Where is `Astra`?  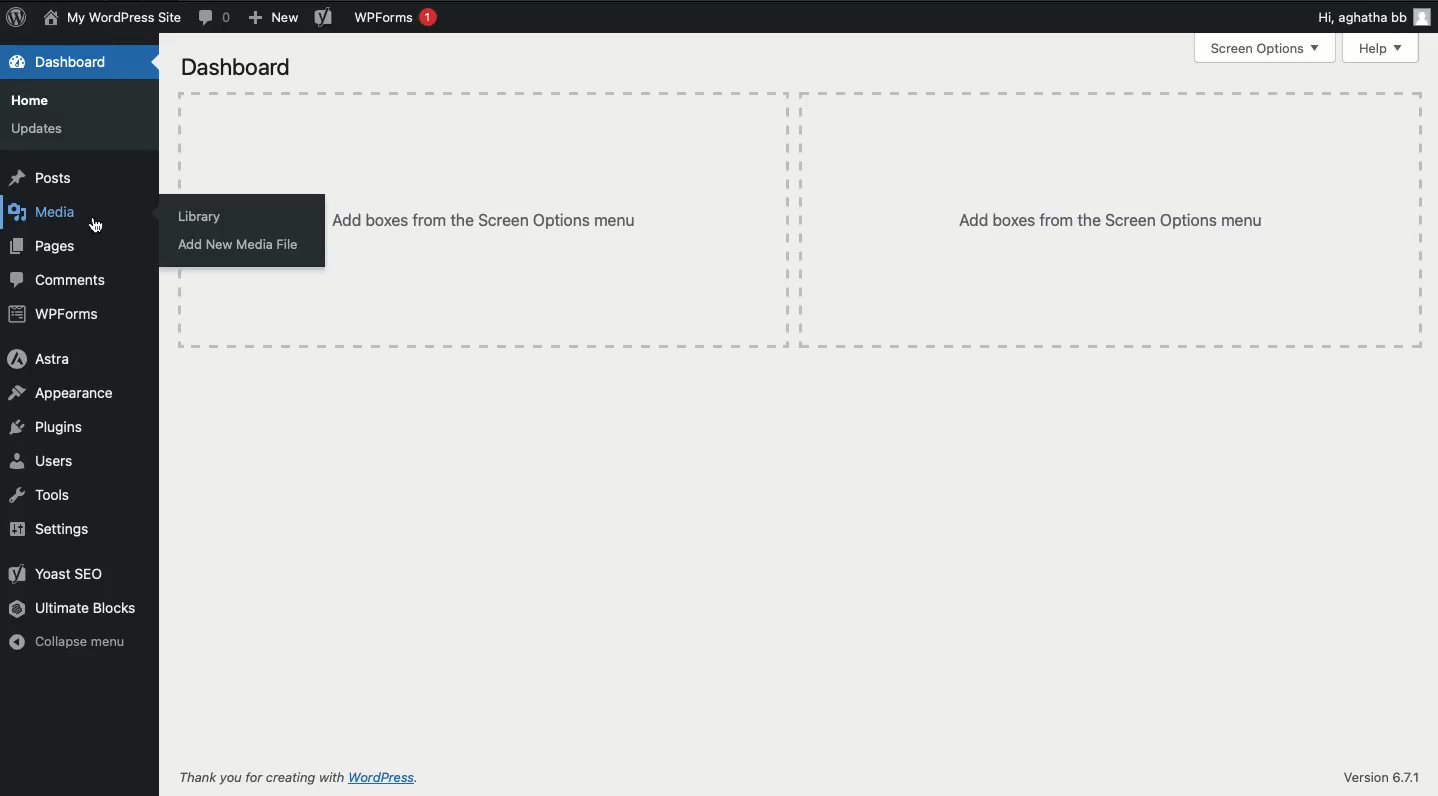 Astra is located at coordinates (38, 359).